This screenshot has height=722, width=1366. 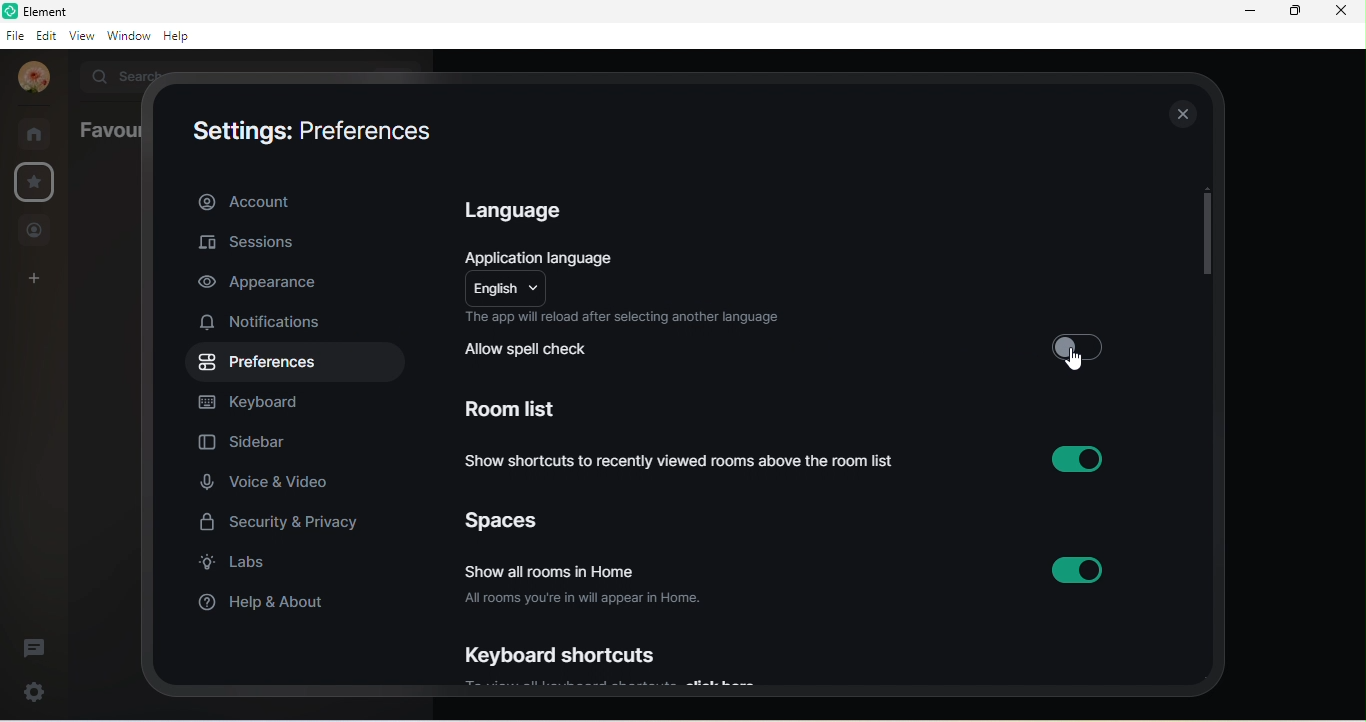 I want to click on account, so click(x=297, y=204).